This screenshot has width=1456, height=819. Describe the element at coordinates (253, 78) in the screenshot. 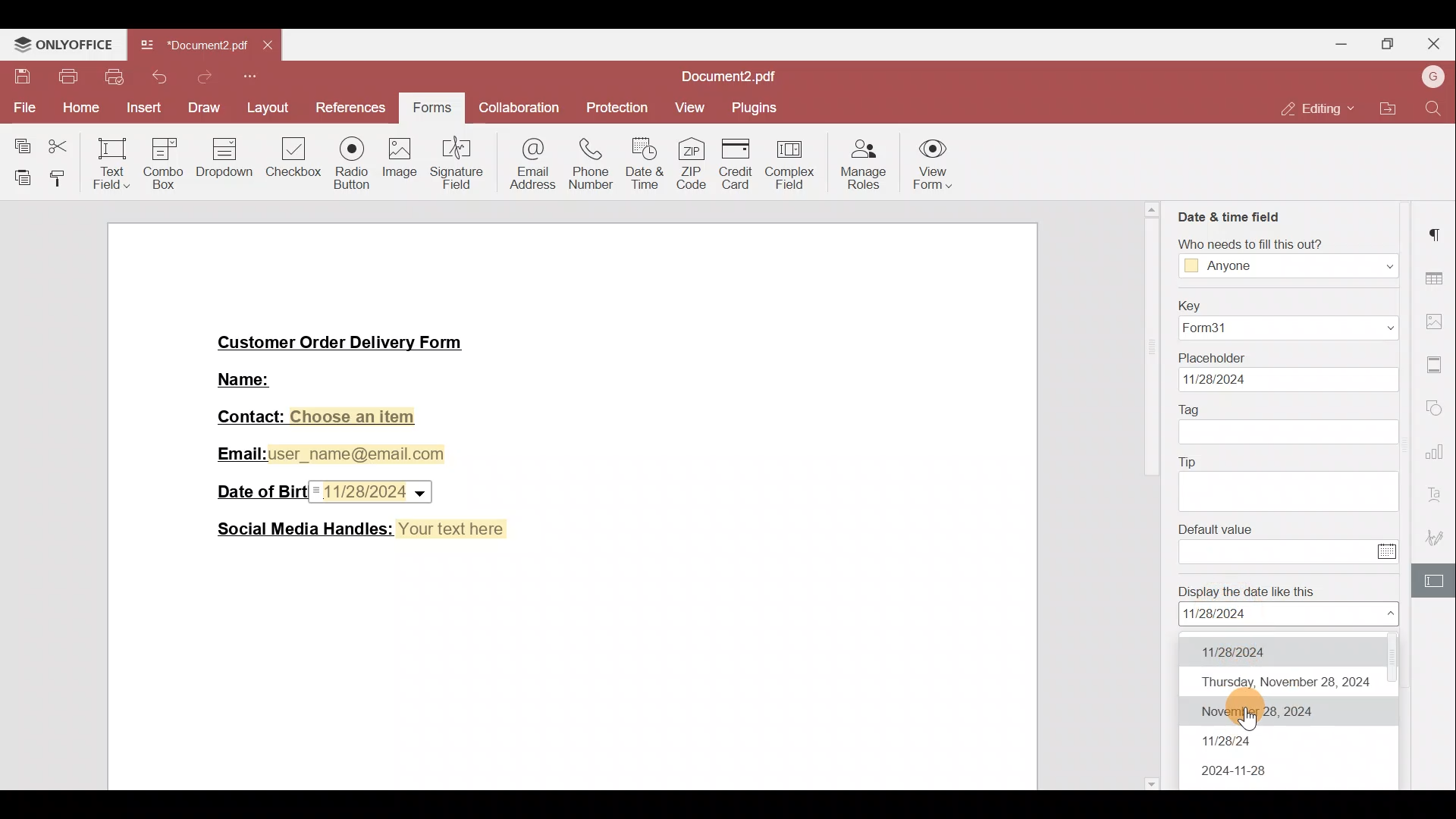

I see `More` at that location.